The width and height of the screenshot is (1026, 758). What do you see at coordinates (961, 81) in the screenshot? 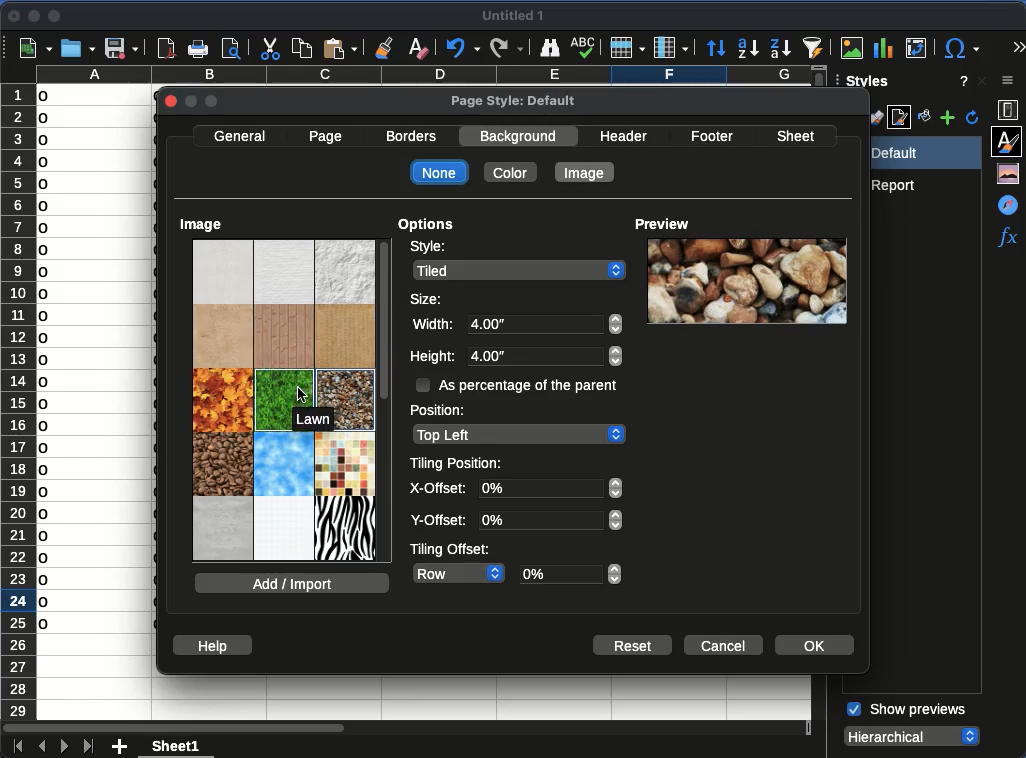
I see `help` at bounding box center [961, 81].